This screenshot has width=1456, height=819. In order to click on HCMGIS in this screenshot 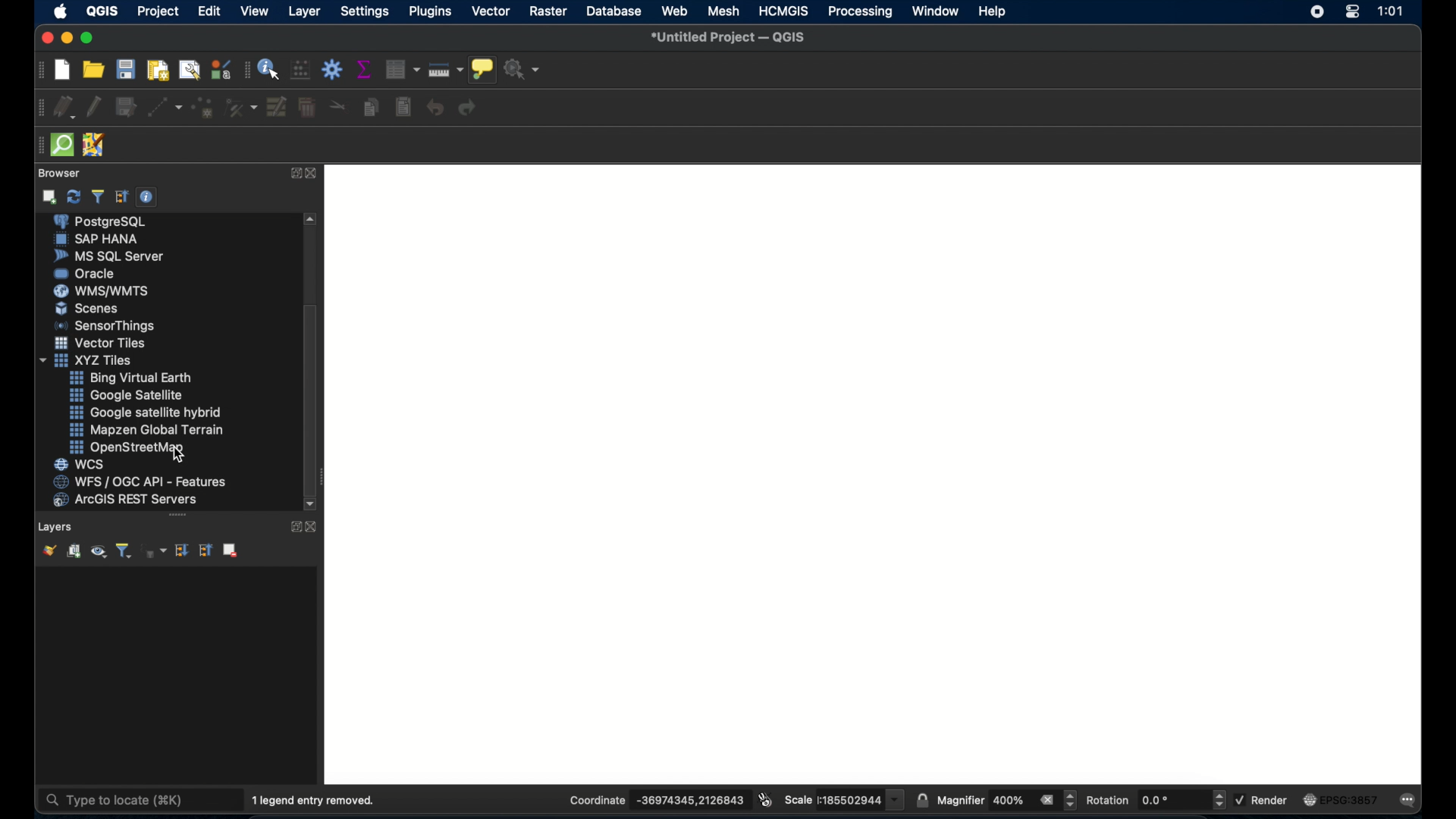, I will do `click(783, 11)`.